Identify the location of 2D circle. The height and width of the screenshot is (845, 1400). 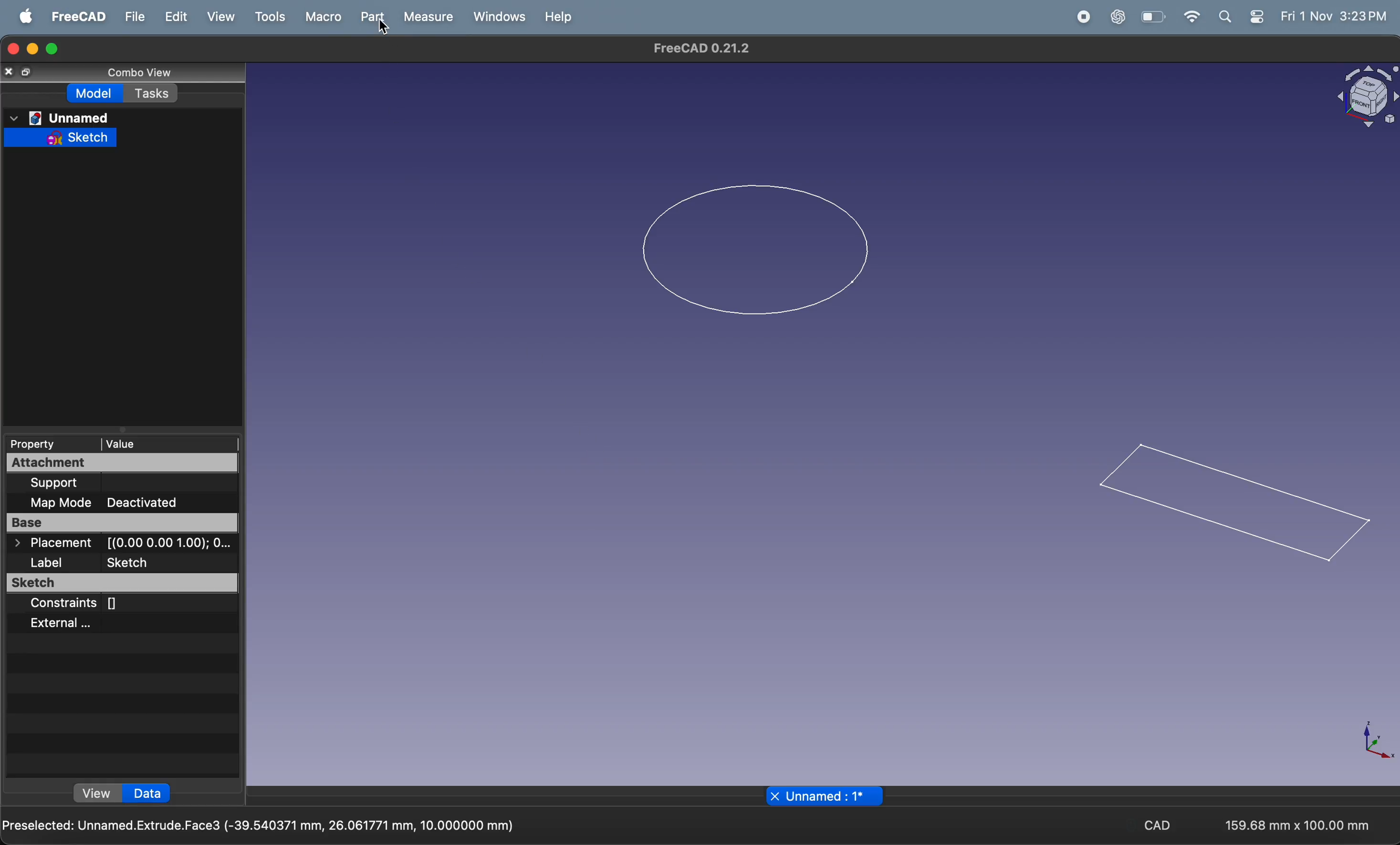
(753, 249).